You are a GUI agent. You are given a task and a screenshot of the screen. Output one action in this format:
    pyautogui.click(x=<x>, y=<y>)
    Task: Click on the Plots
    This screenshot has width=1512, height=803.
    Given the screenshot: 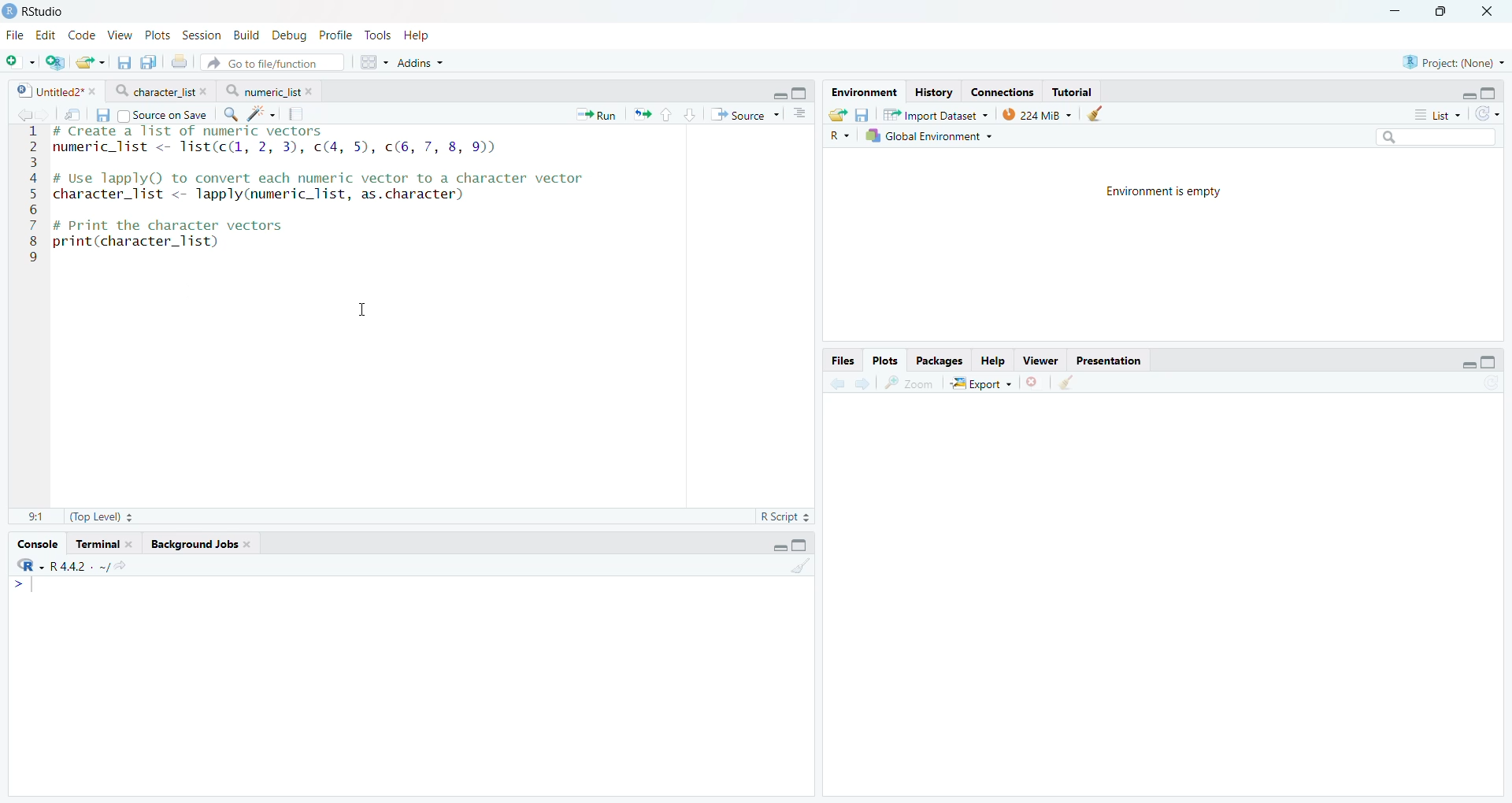 What is the action you would take?
    pyautogui.click(x=161, y=34)
    